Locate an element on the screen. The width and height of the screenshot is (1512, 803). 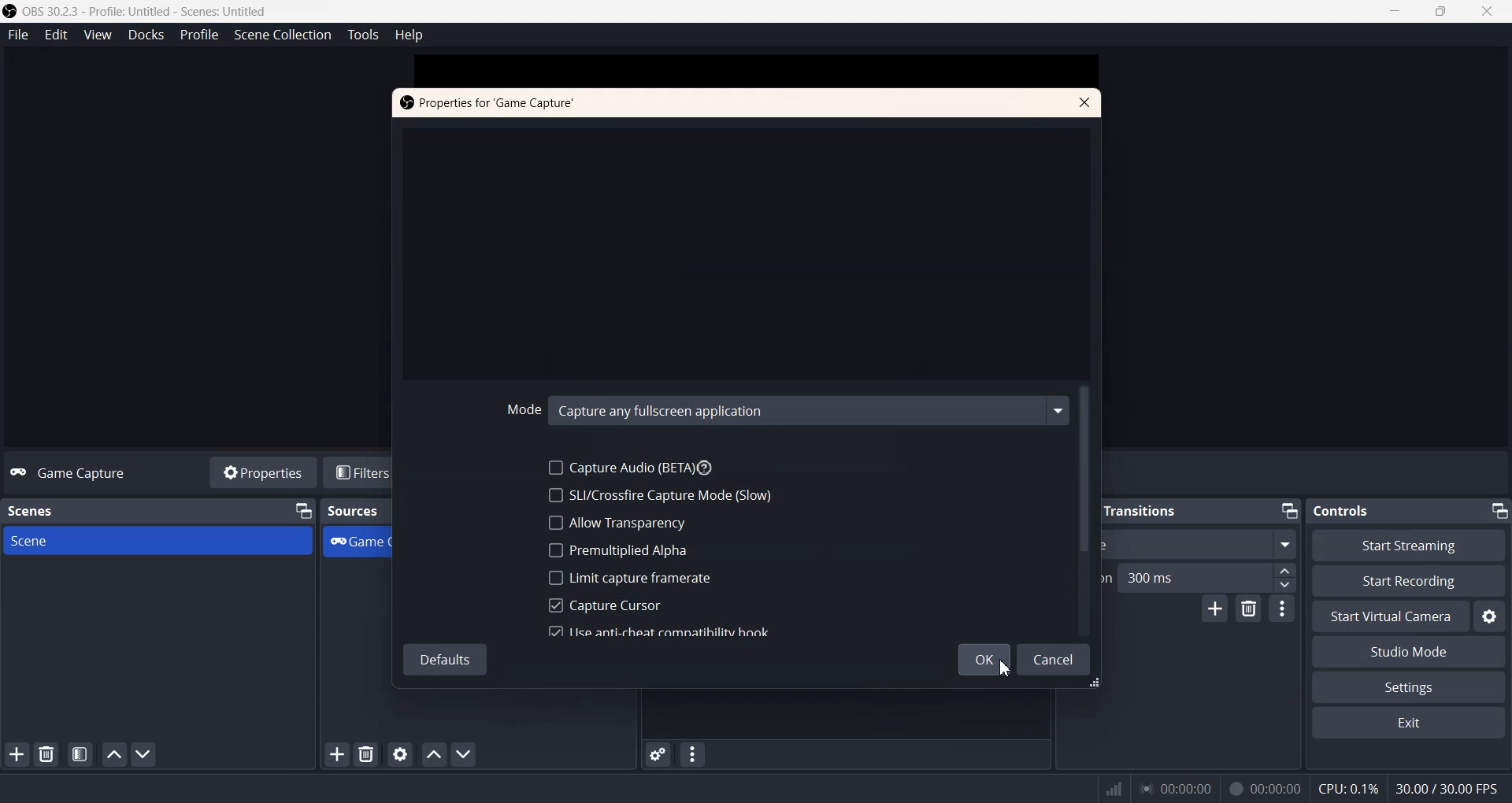
Tools is located at coordinates (362, 35).